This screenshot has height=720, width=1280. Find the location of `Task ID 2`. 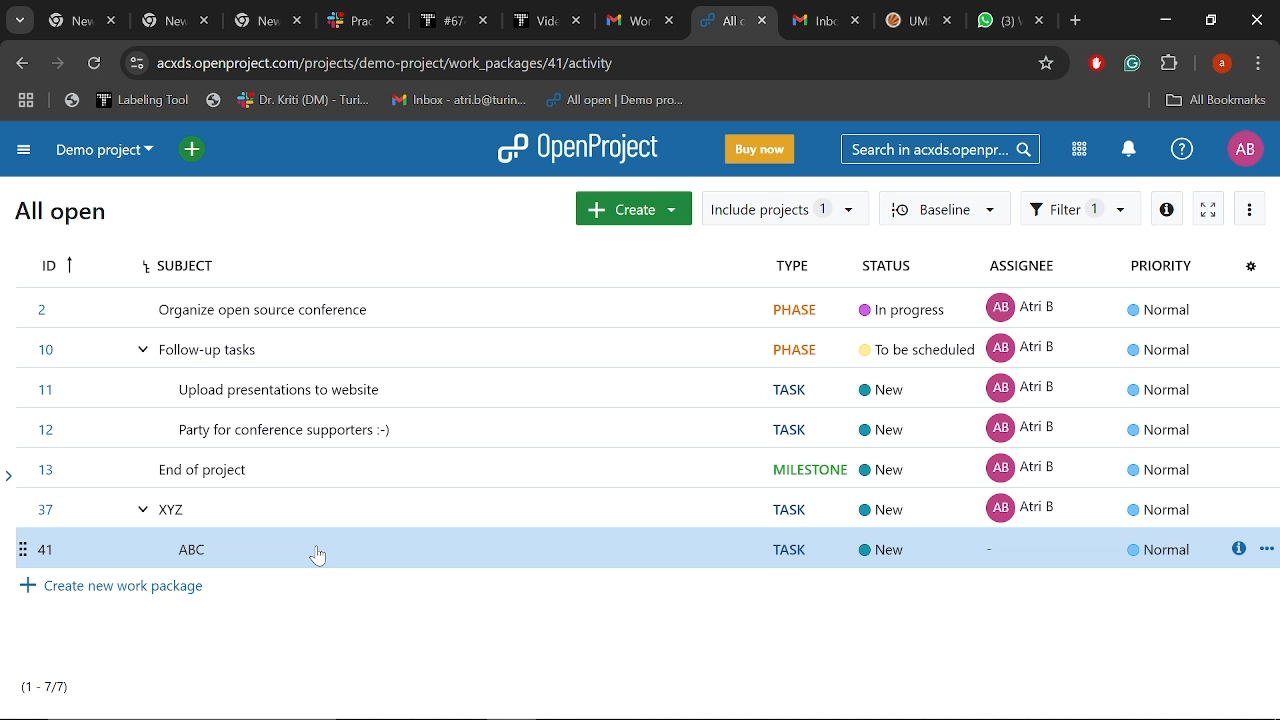

Task ID 2 is located at coordinates (645, 309).